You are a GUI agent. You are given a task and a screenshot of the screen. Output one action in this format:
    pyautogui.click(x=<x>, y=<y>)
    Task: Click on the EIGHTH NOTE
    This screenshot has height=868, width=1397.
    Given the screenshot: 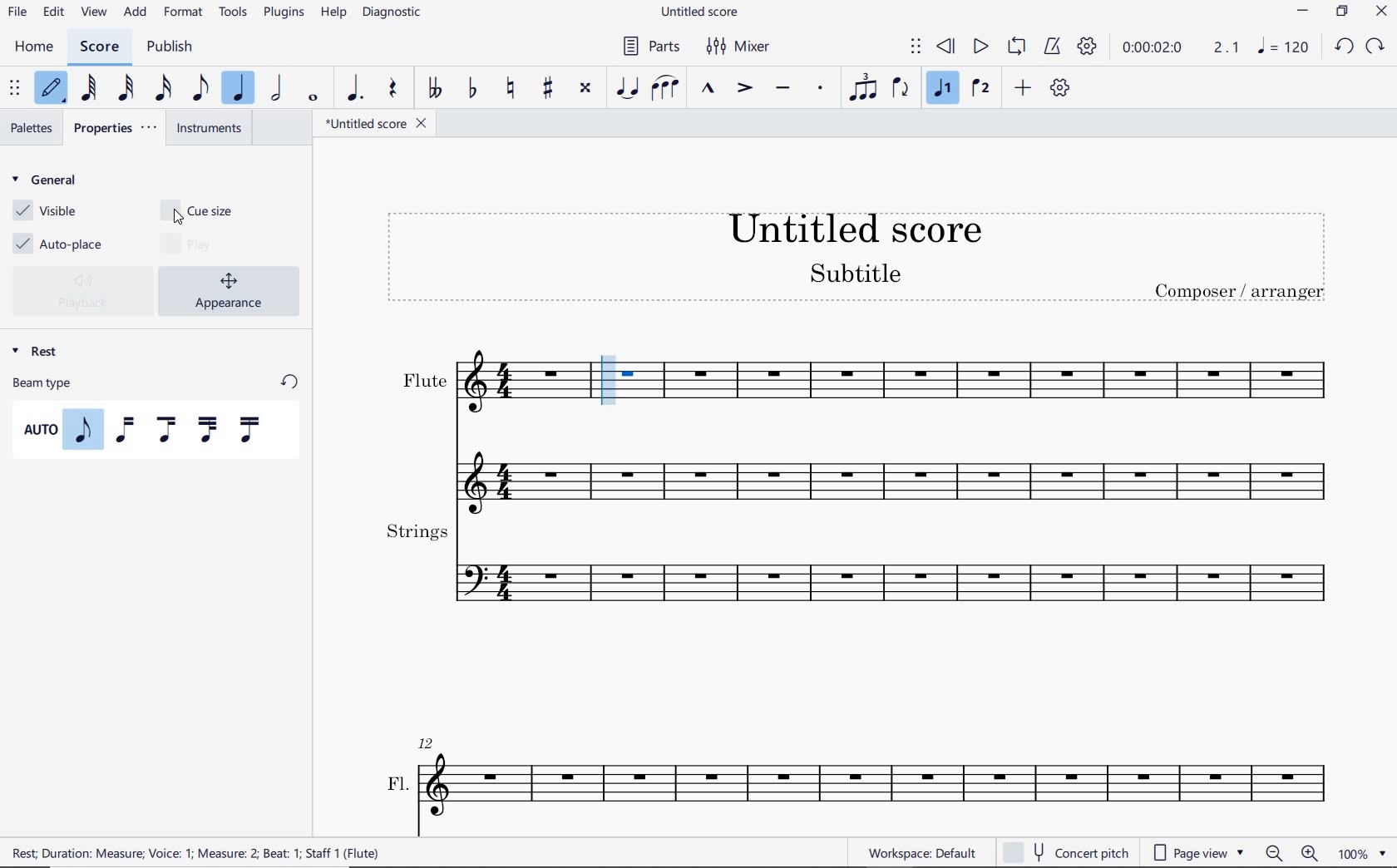 What is the action you would take?
    pyautogui.click(x=199, y=90)
    